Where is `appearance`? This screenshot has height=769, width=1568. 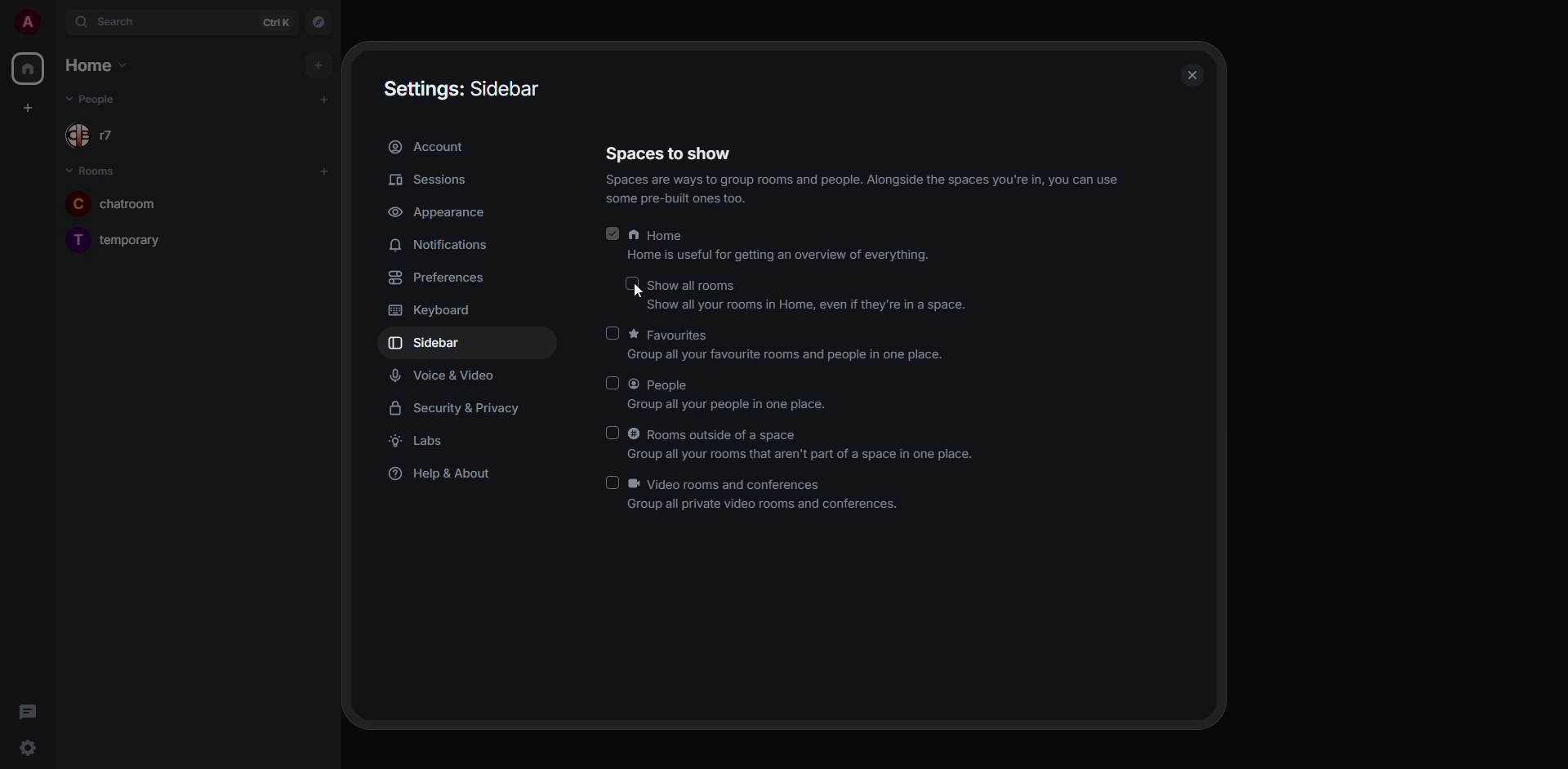 appearance is located at coordinates (443, 212).